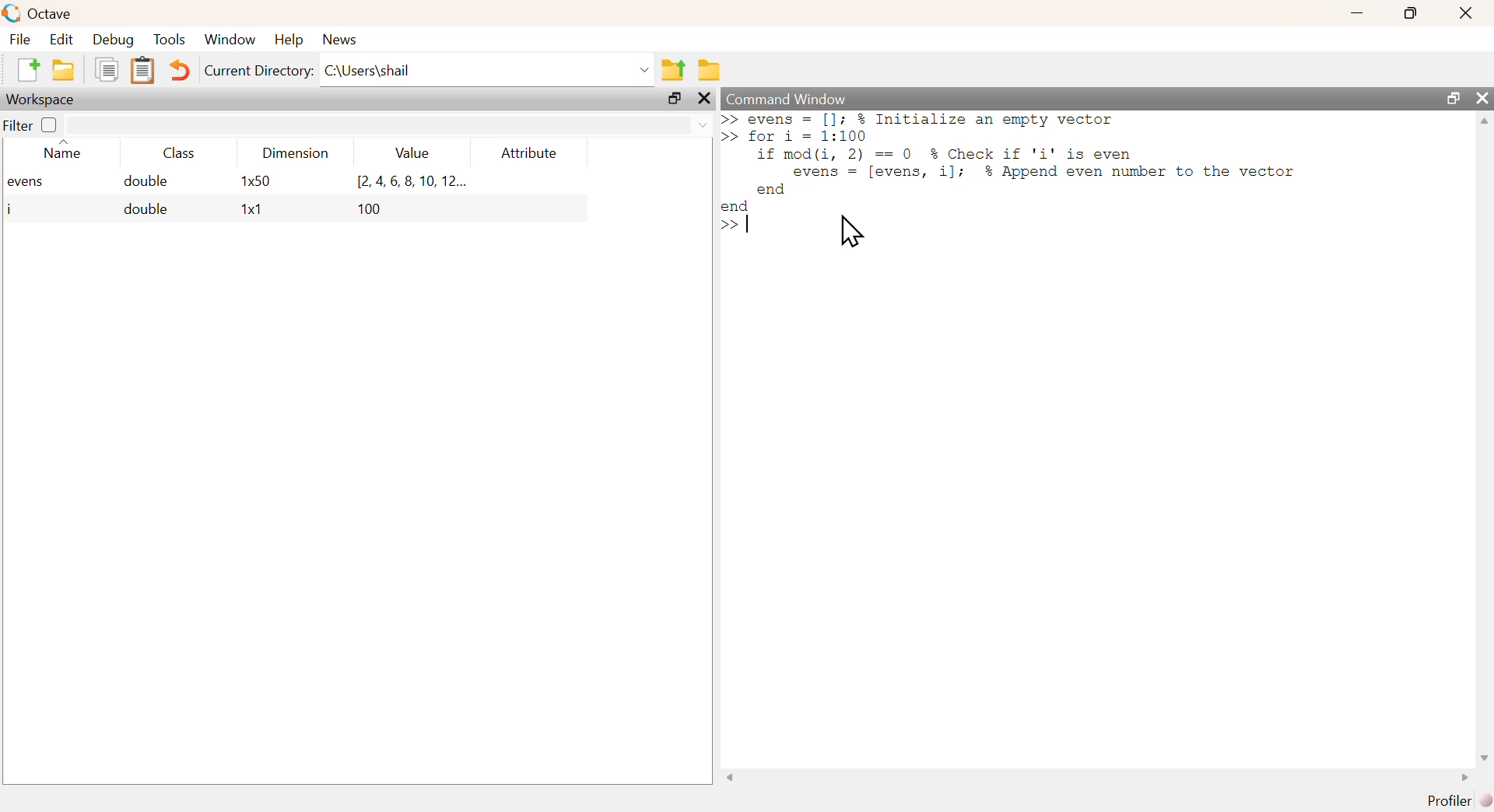 Image resolution: width=1494 pixels, height=812 pixels. What do you see at coordinates (1098, 777) in the screenshot?
I see `scrollbar` at bounding box center [1098, 777].